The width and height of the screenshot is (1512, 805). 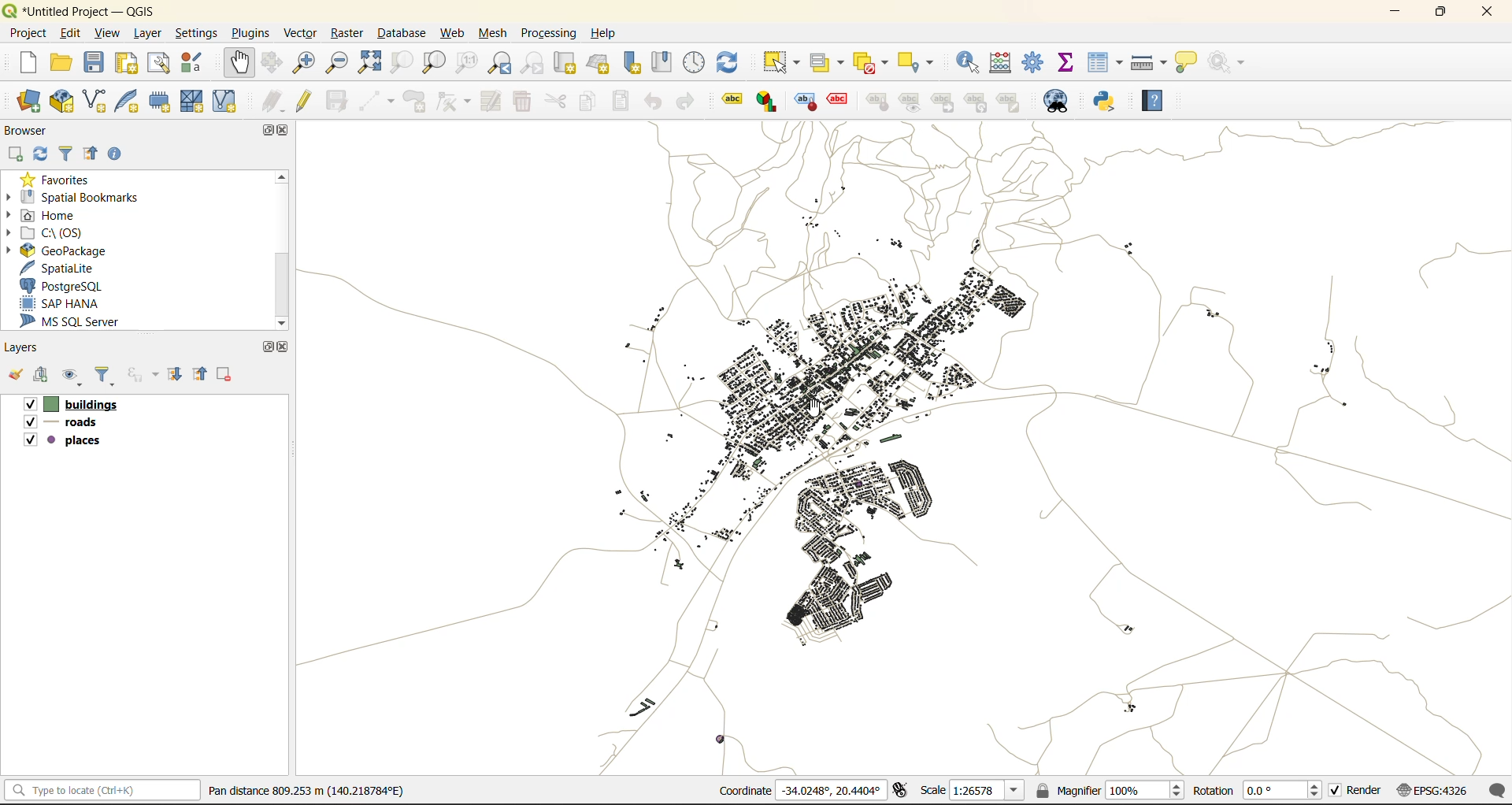 I want to click on print layout, so click(x=126, y=63).